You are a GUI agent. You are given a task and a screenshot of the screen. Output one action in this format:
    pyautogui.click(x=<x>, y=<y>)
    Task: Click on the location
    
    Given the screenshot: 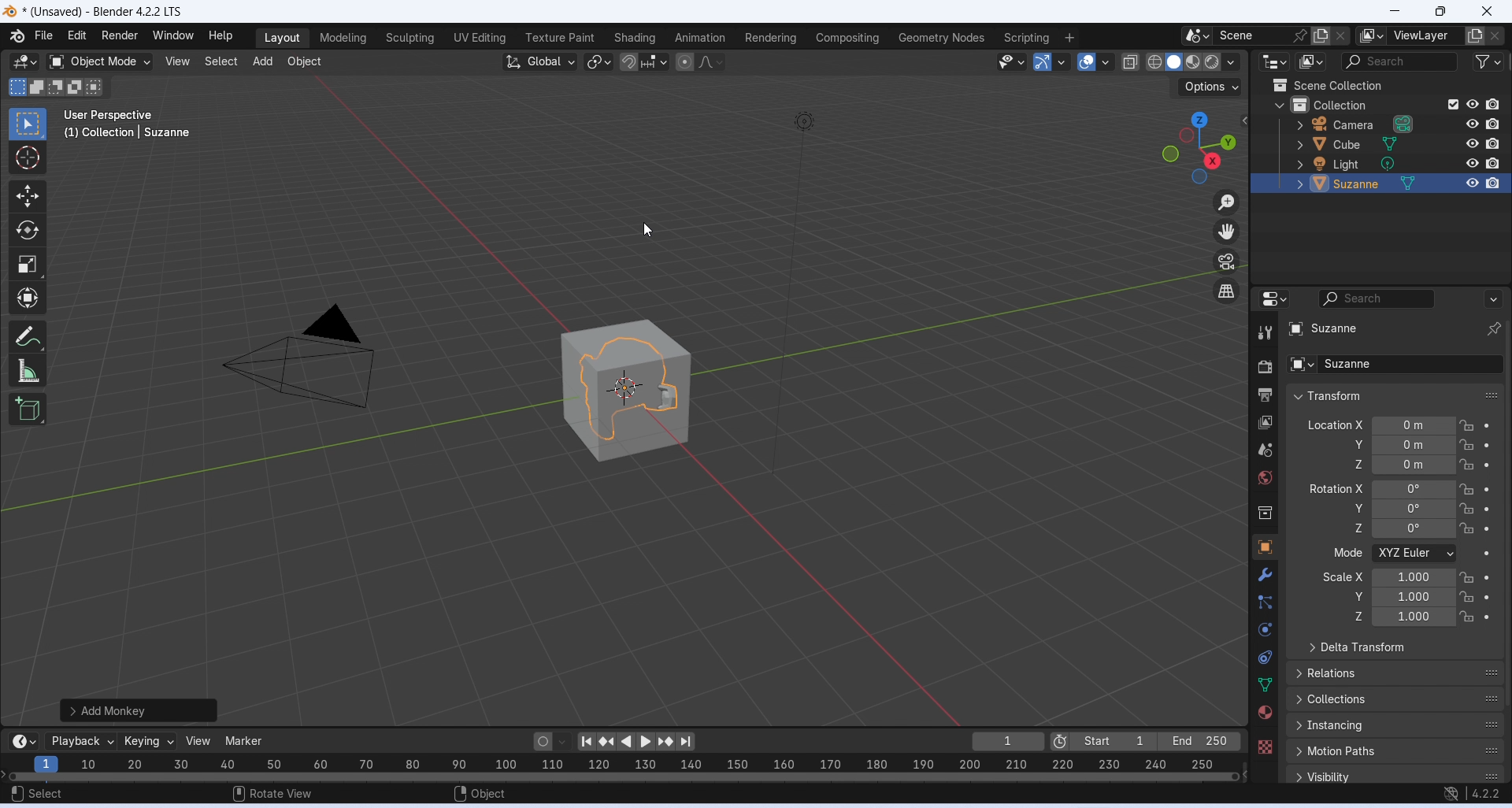 What is the action you would take?
    pyautogui.click(x=1414, y=445)
    